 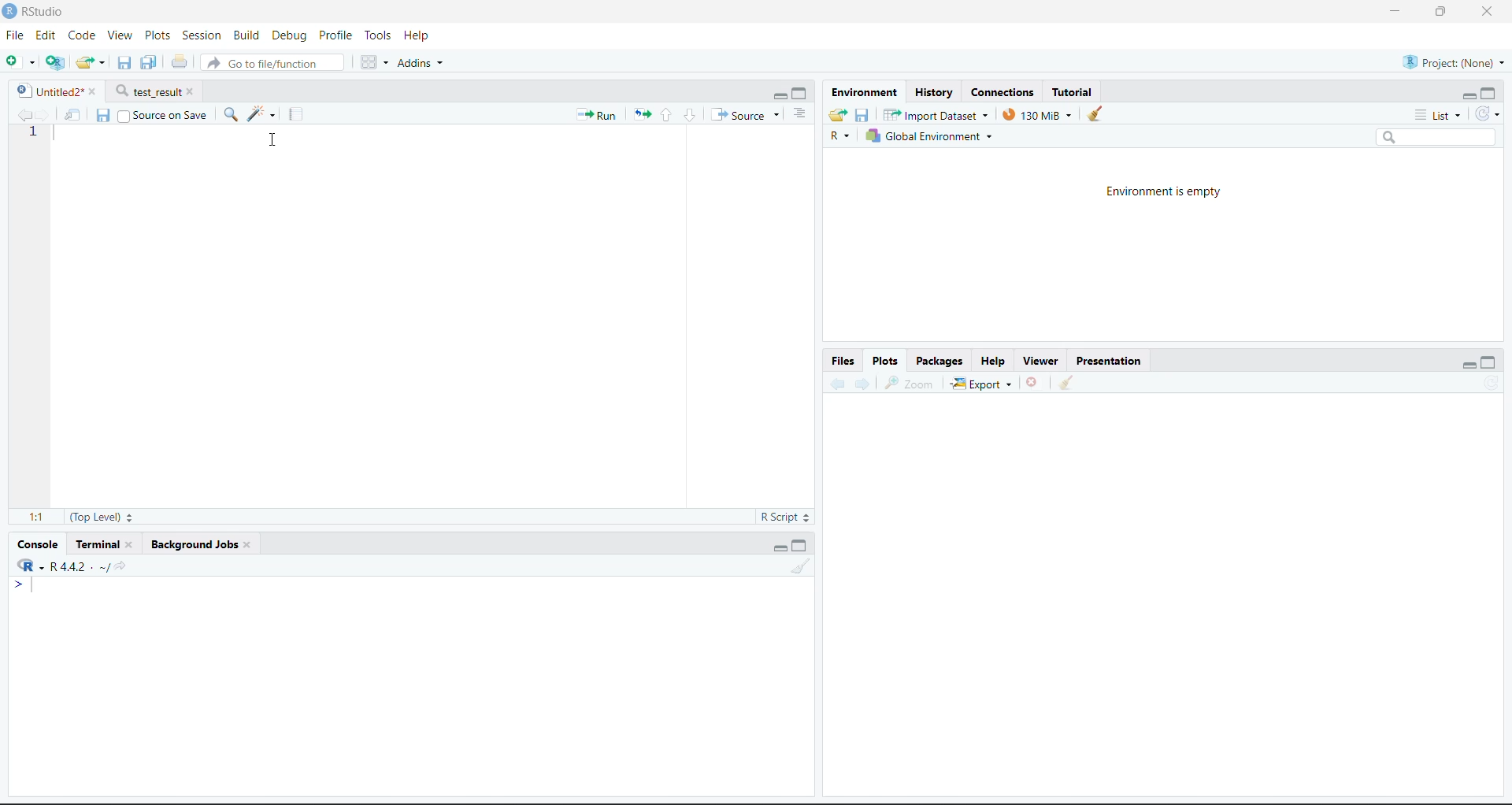 What do you see at coordinates (1033, 379) in the screenshot?
I see `Close` at bounding box center [1033, 379].